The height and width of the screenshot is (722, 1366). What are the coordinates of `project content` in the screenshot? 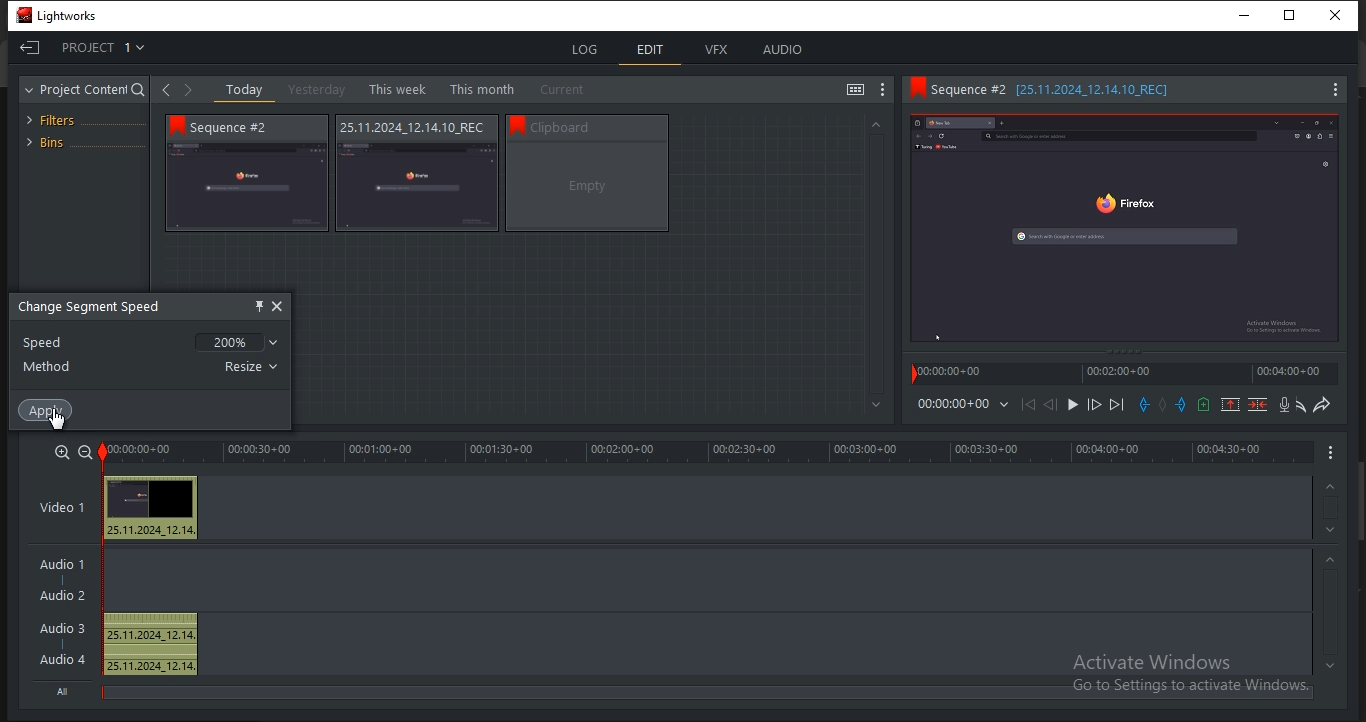 It's located at (83, 89).